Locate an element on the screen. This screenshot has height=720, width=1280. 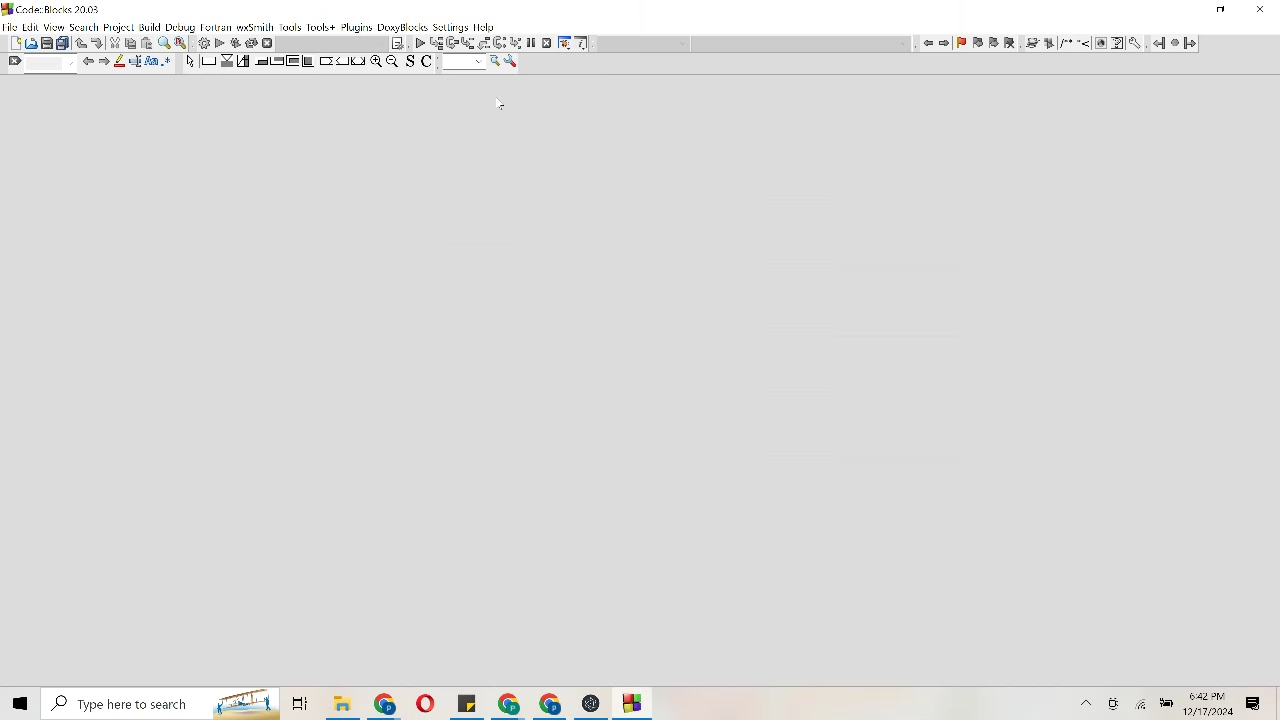
More is located at coordinates (1087, 703).